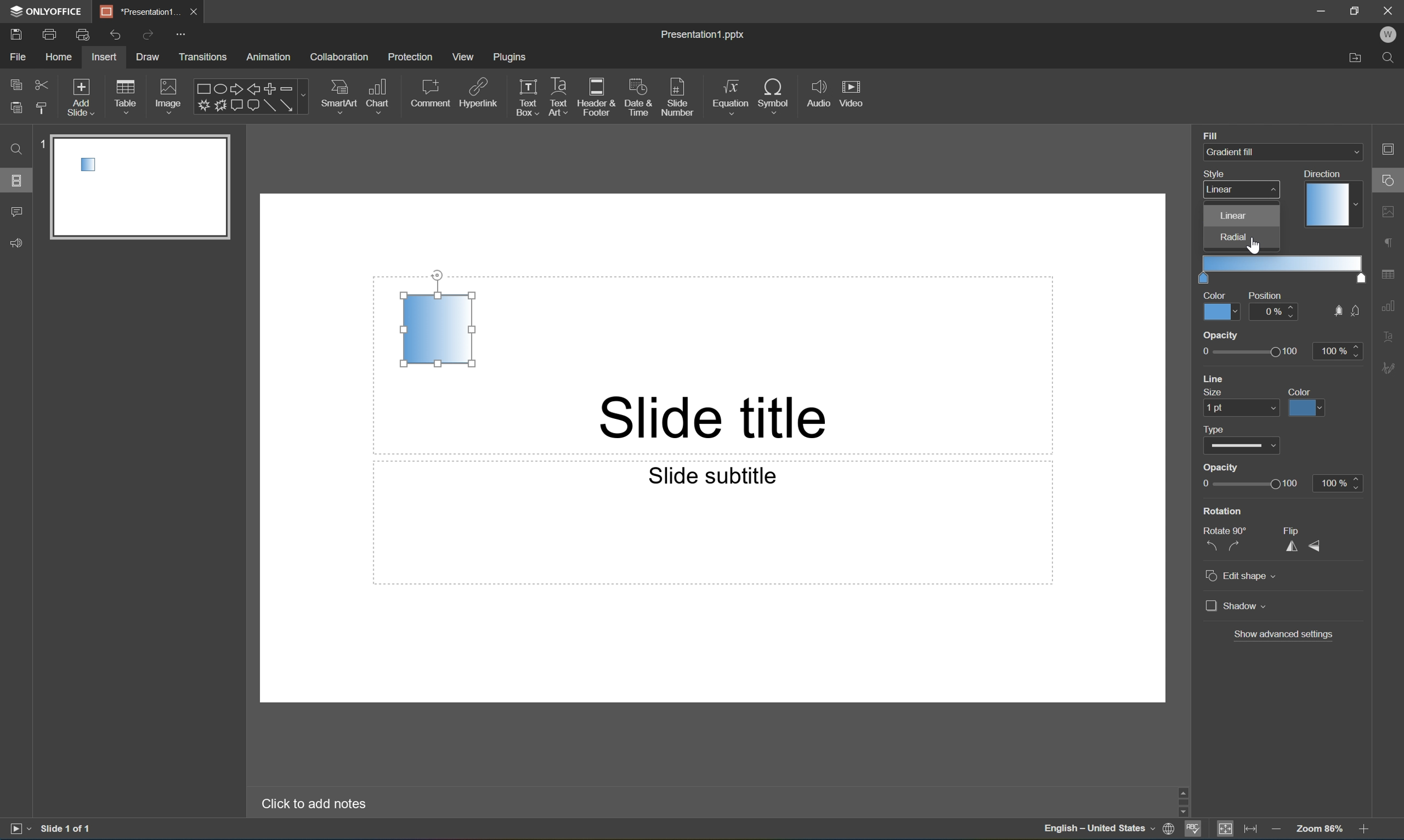  I want to click on Linear, so click(1231, 217).